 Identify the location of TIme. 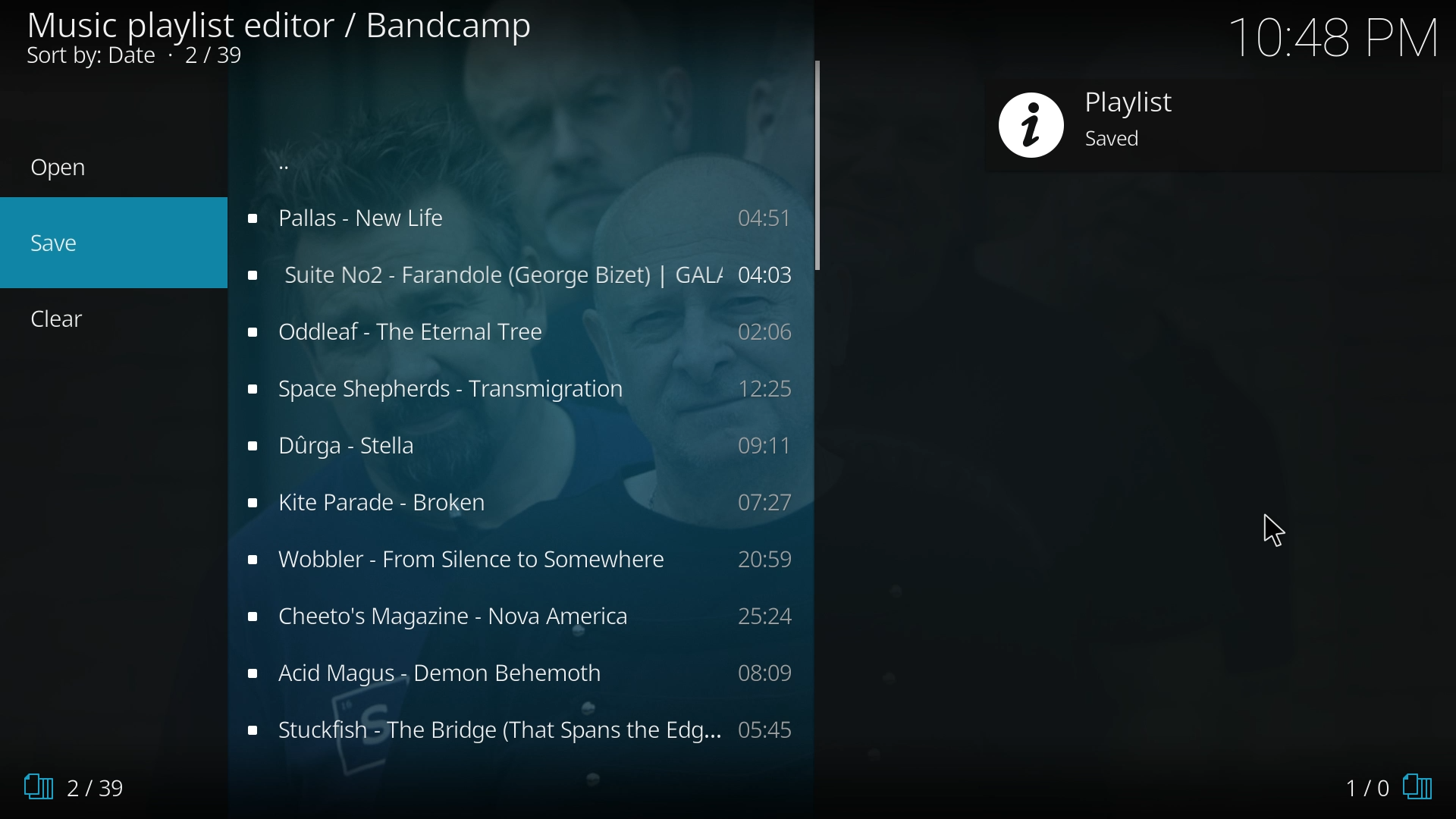
(1338, 35).